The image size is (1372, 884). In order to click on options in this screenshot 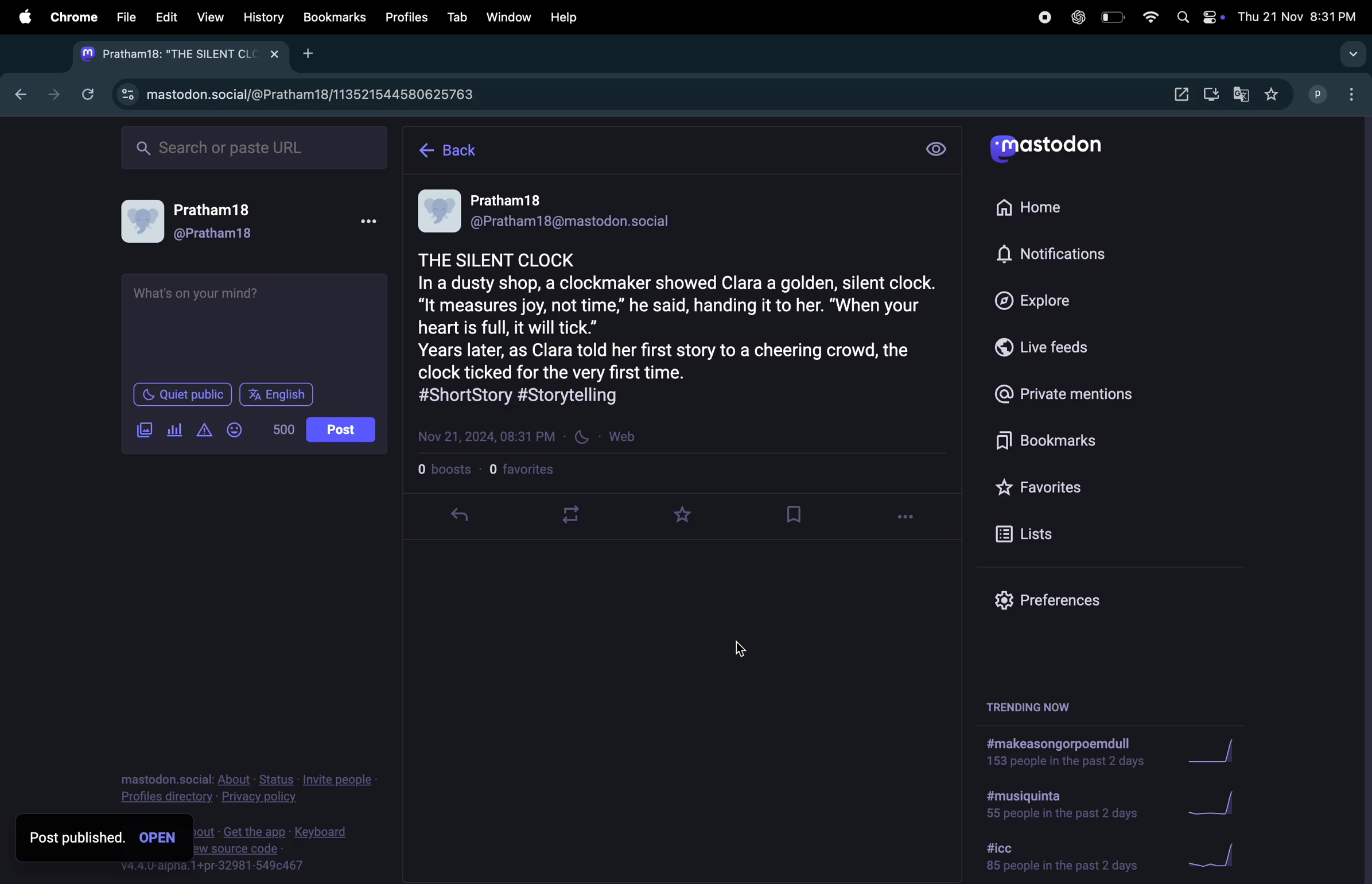, I will do `click(1356, 95)`.